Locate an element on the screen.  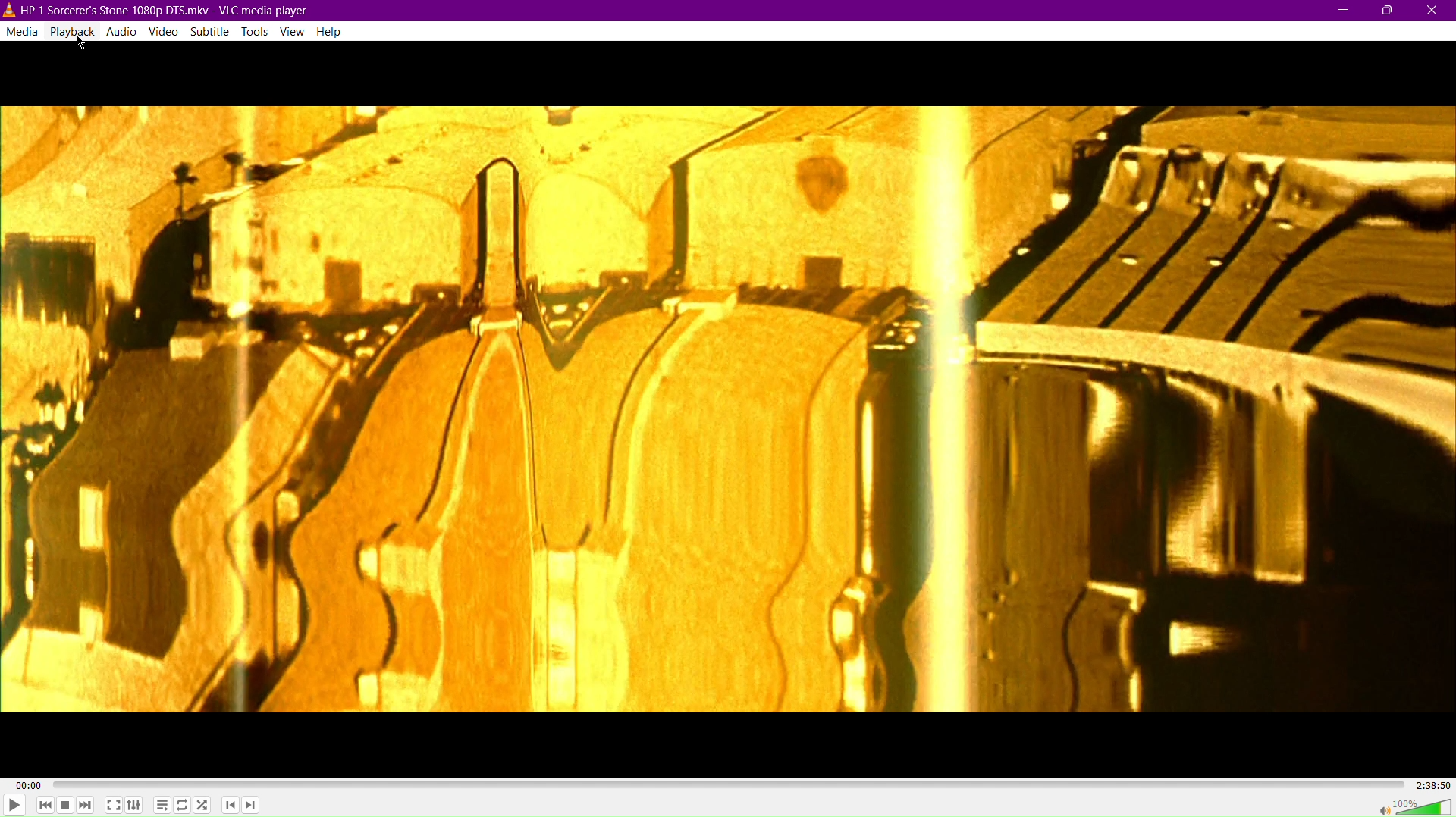
Playback is located at coordinates (72, 30).